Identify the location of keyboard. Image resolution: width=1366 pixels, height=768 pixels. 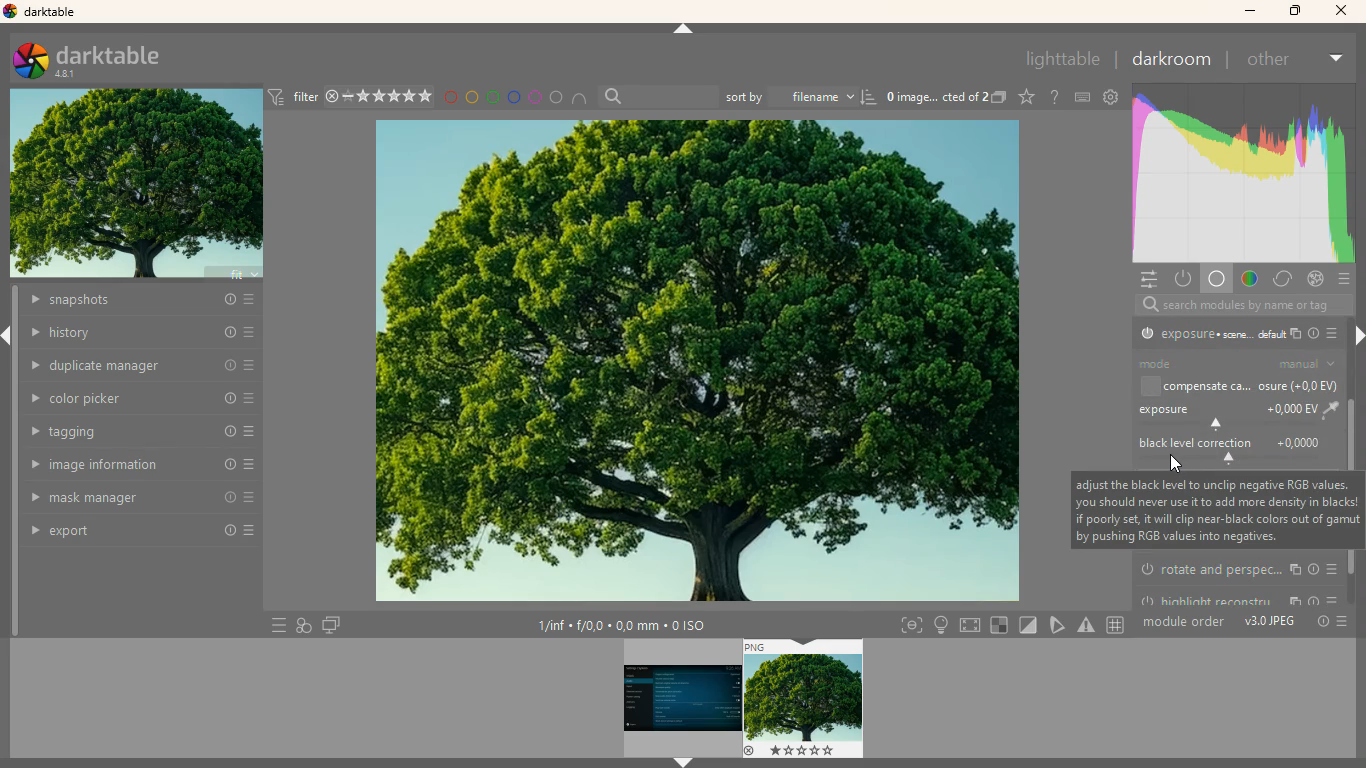
(1079, 97).